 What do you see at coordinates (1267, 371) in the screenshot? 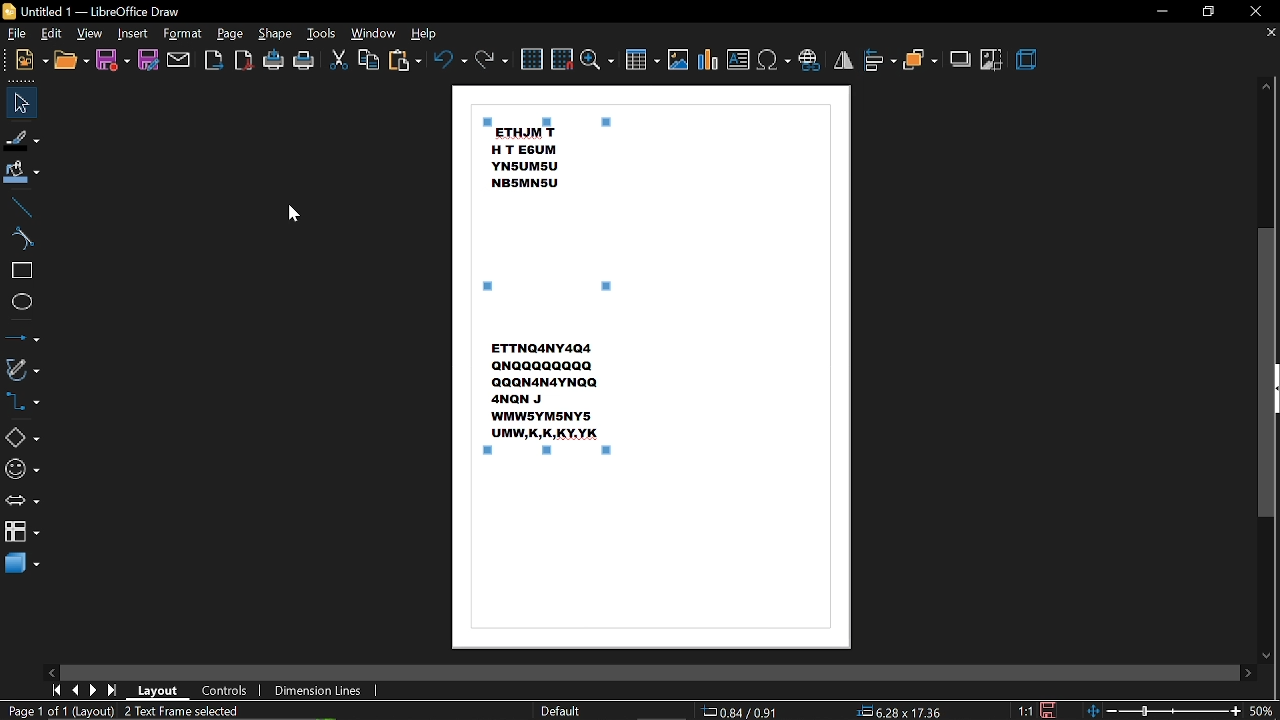
I see `vertical scrollbar` at bounding box center [1267, 371].